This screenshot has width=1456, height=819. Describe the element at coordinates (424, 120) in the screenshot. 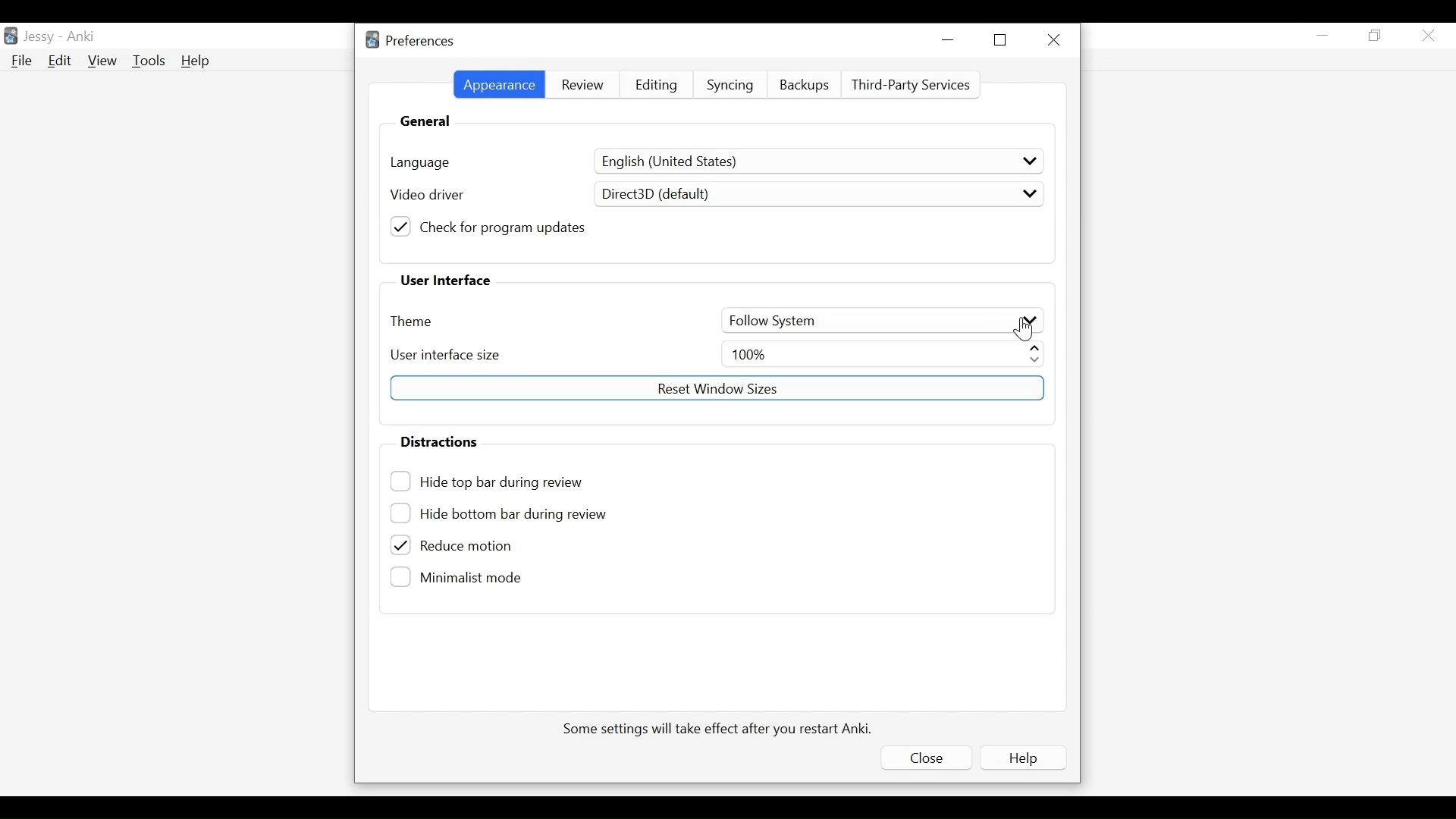

I see `General` at that location.